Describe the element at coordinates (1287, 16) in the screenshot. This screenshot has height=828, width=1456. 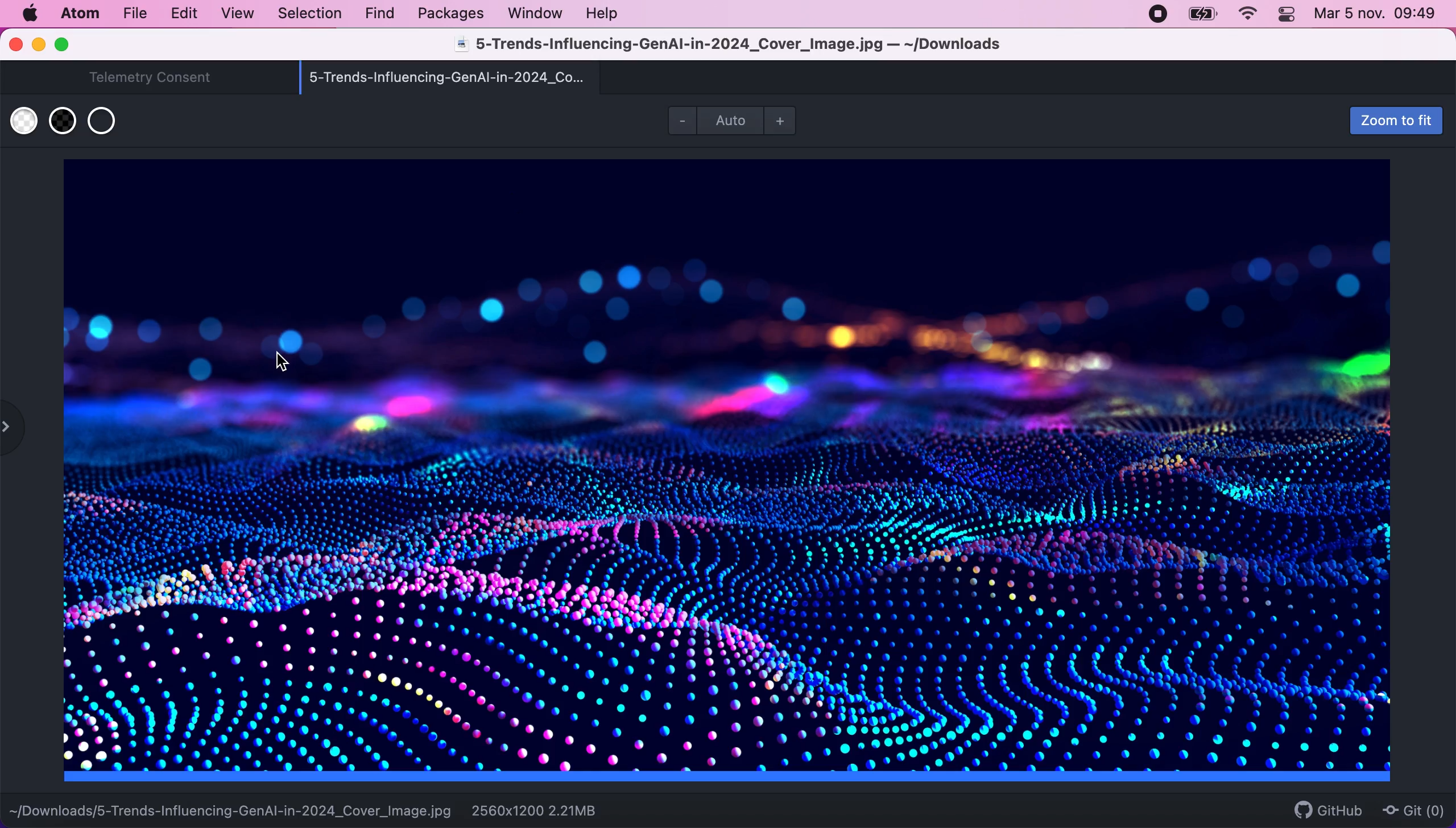
I see `control panel` at that location.